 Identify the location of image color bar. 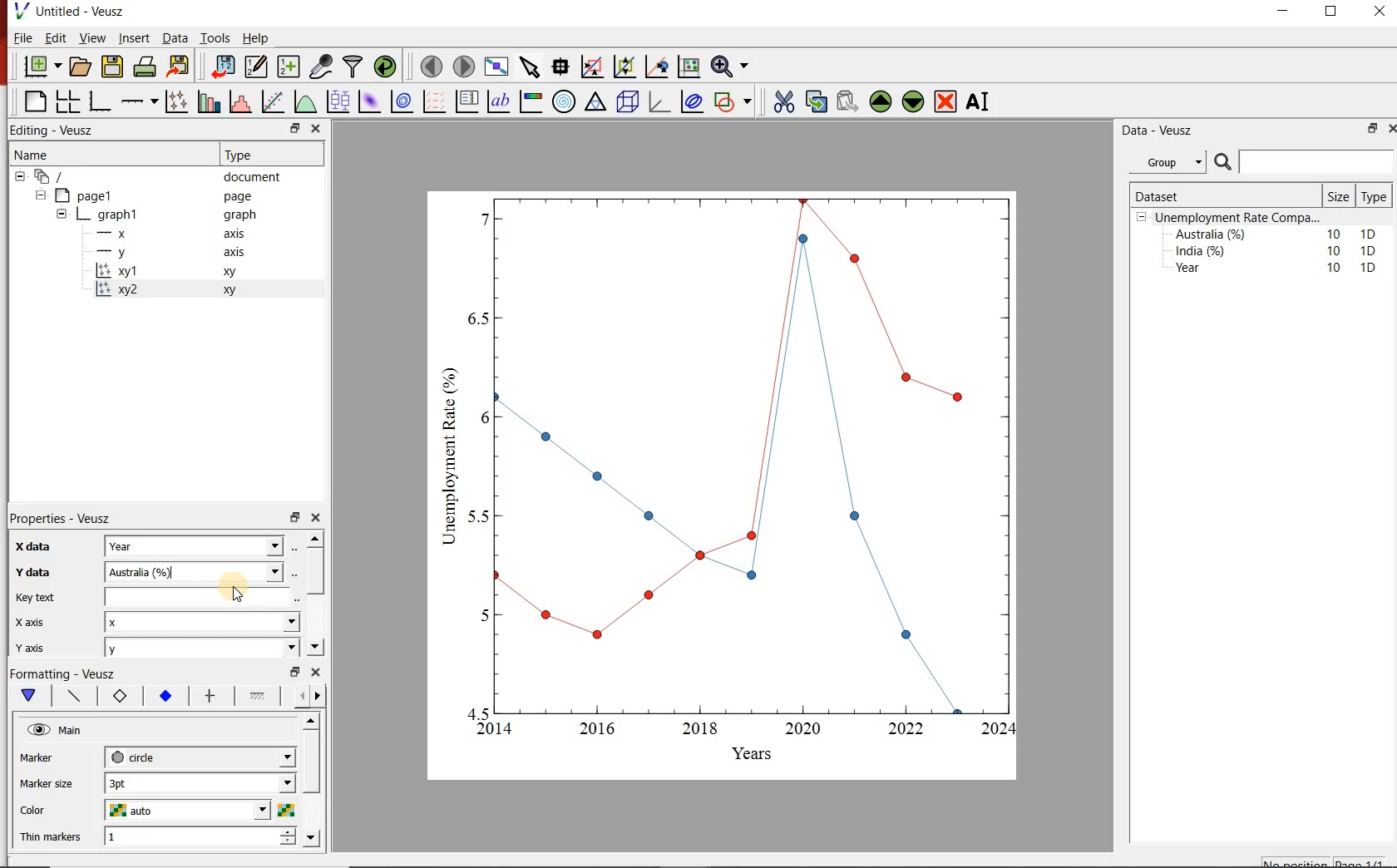
(531, 102).